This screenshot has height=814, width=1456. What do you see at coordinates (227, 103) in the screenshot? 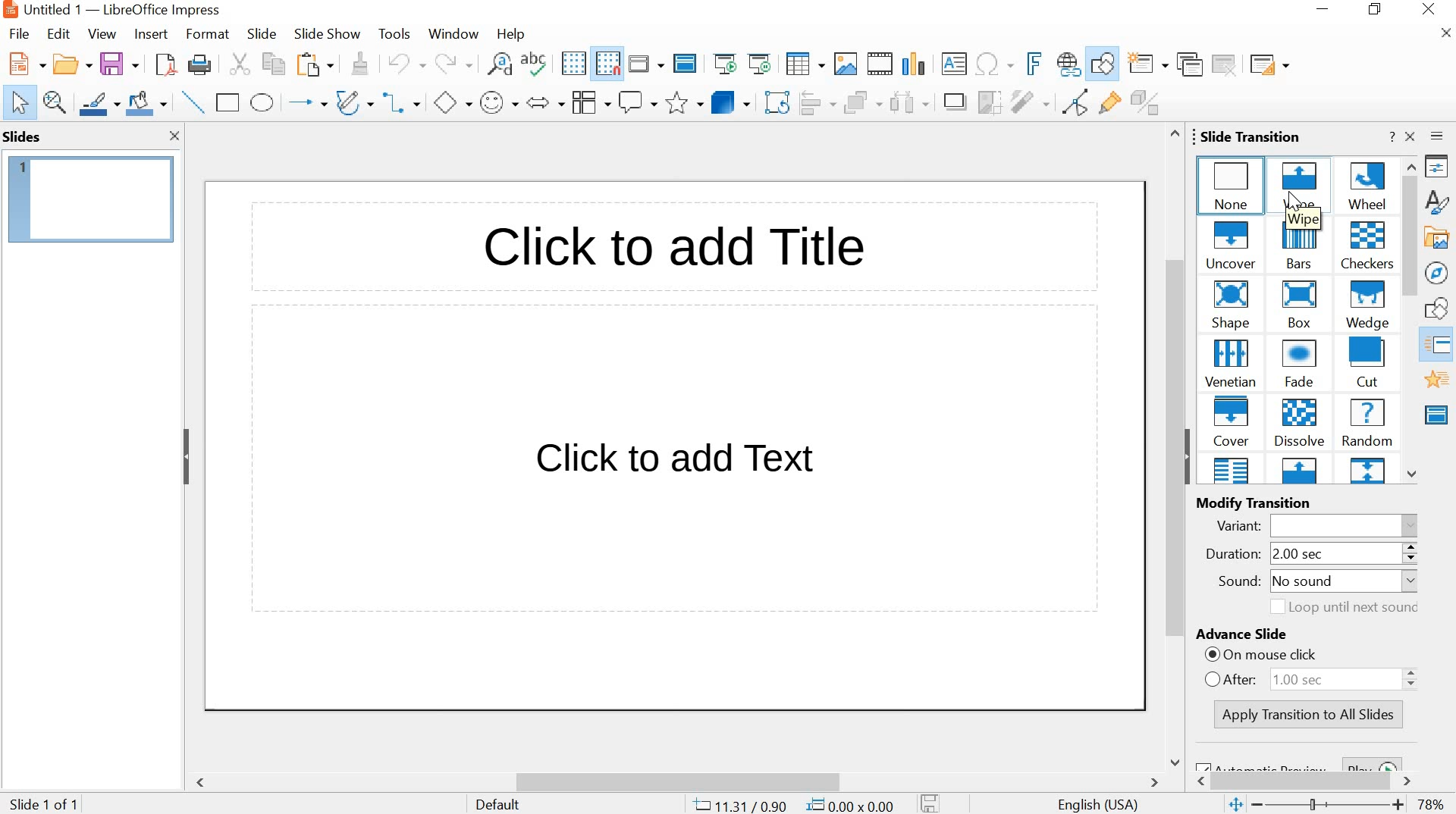
I see `Rectangle` at bounding box center [227, 103].